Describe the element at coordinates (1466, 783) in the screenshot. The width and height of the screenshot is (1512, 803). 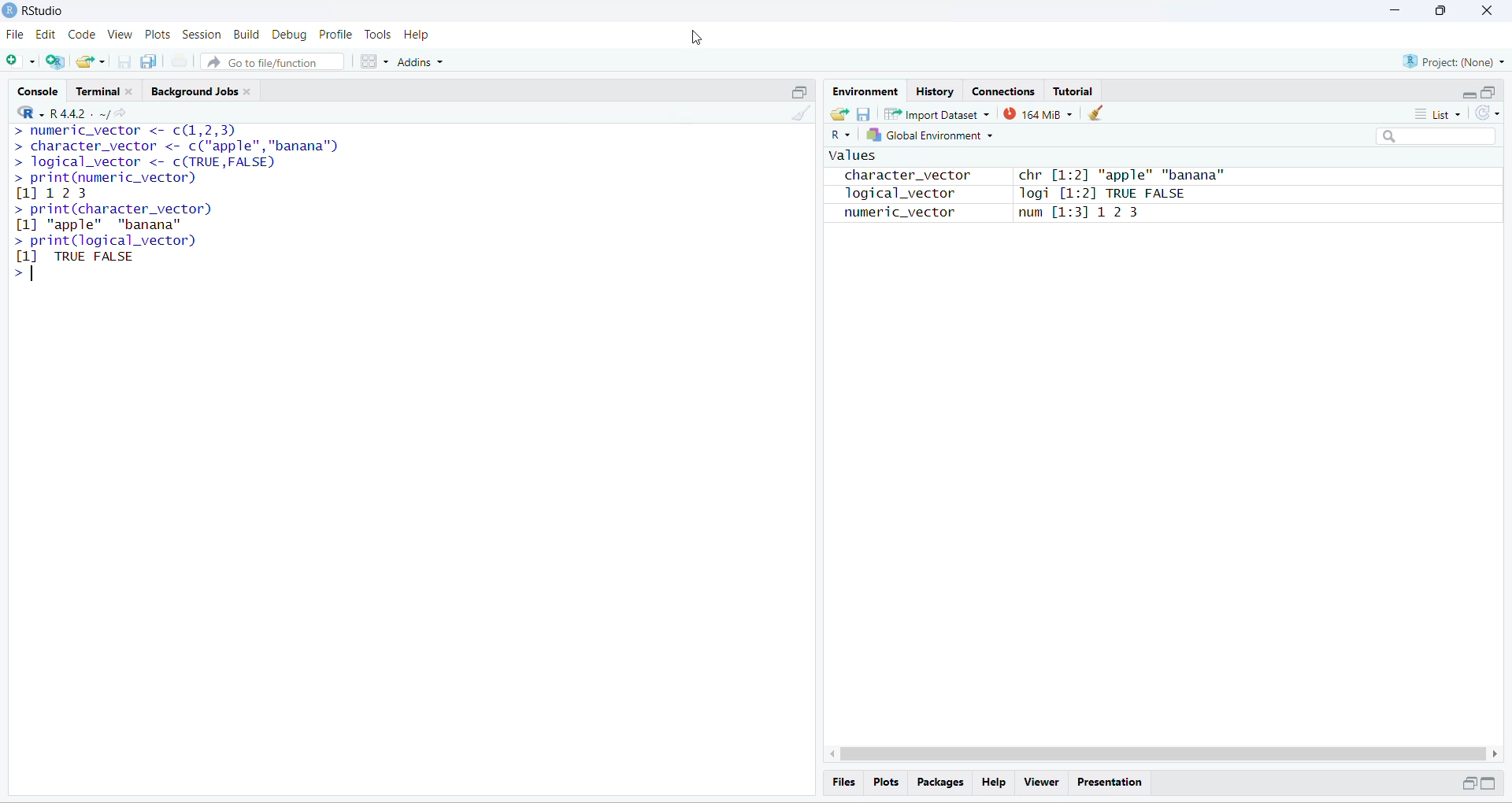
I see `minimize` at that location.